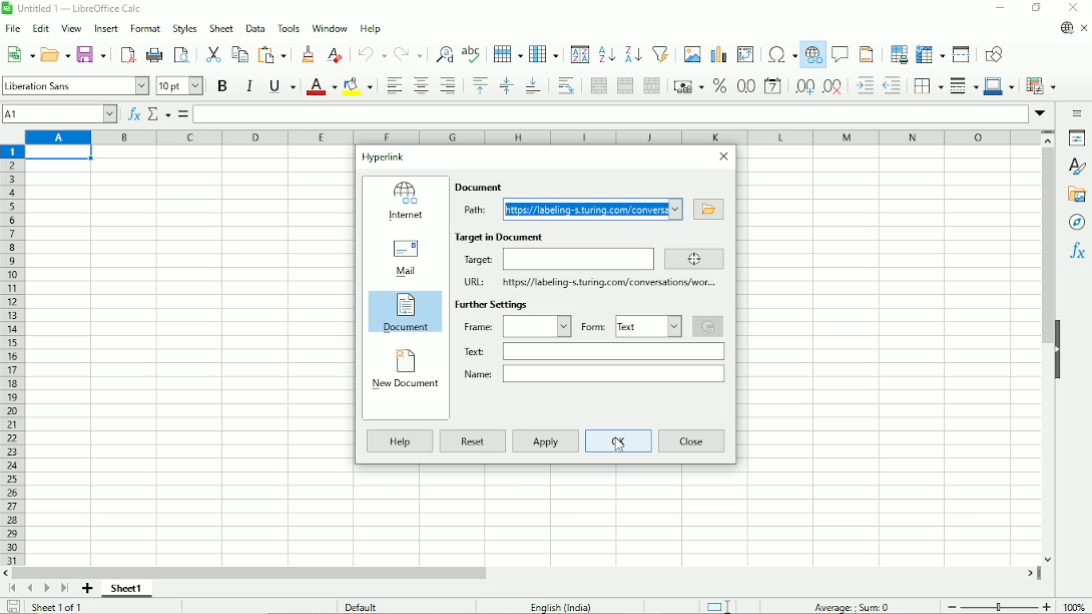 The height and width of the screenshot is (614, 1092). Describe the element at coordinates (92, 54) in the screenshot. I see `Save` at that location.